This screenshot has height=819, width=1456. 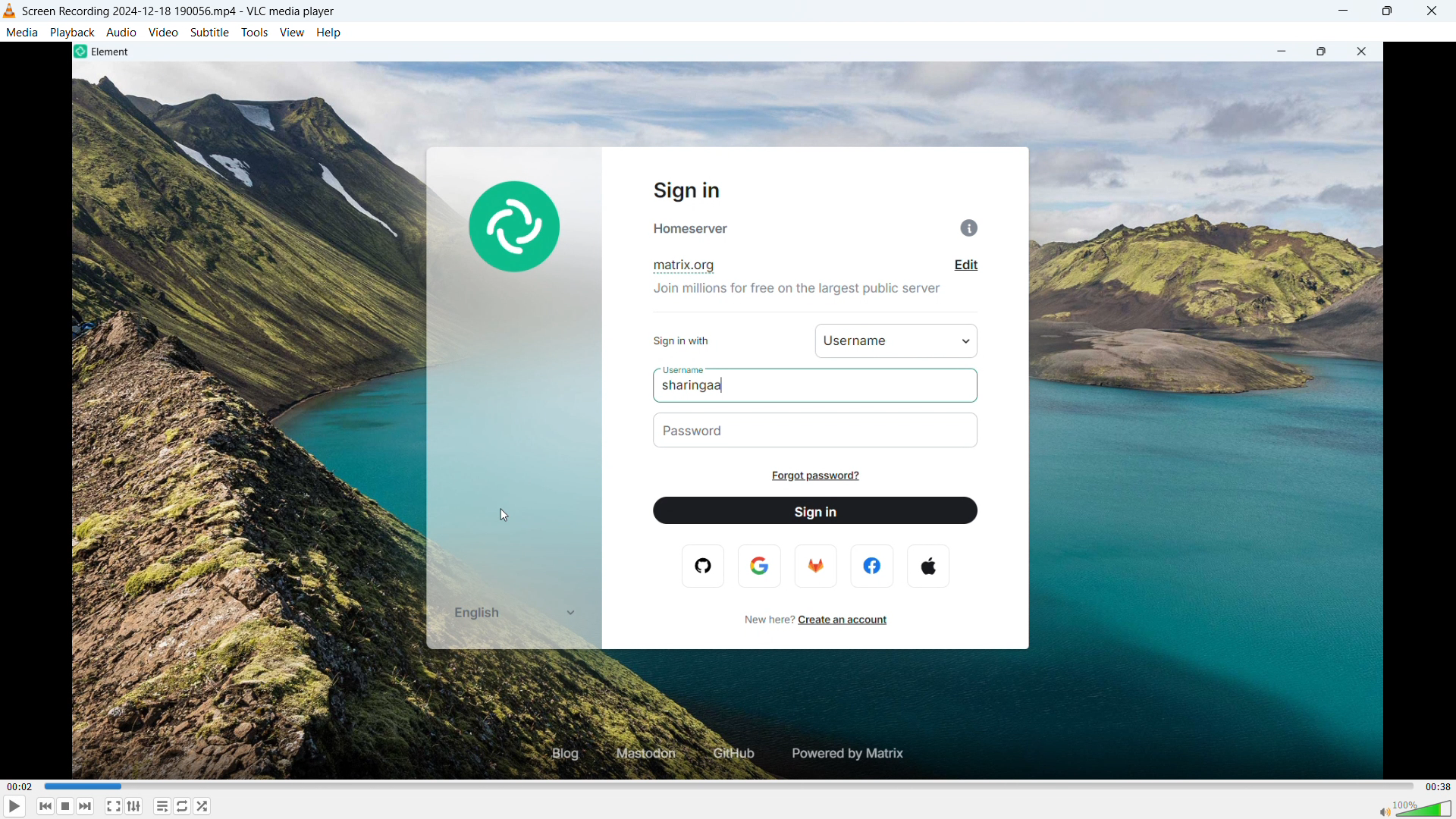 What do you see at coordinates (73, 32) in the screenshot?
I see `playback` at bounding box center [73, 32].